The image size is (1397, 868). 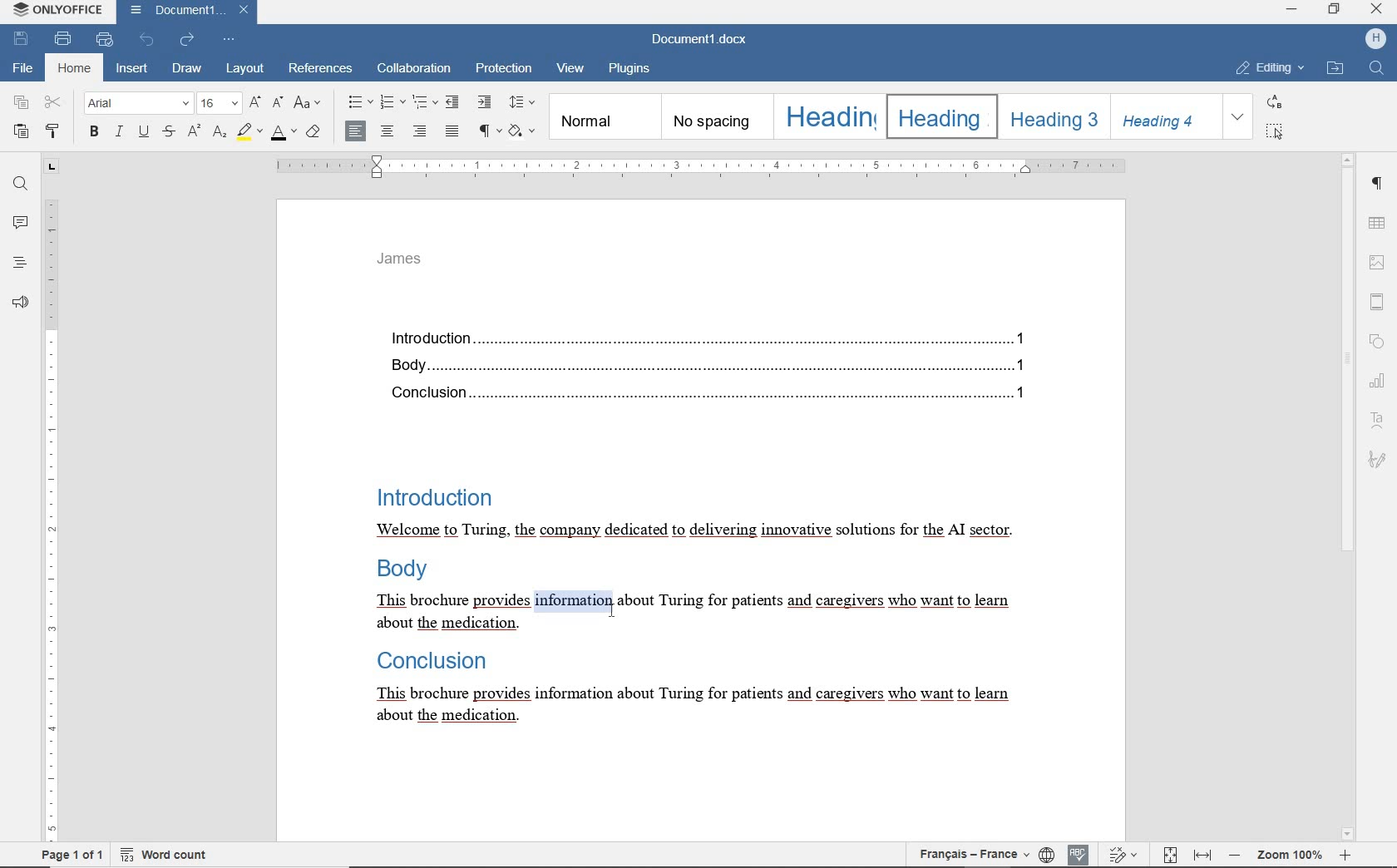 What do you see at coordinates (63, 38) in the screenshot?
I see `PRINT` at bounding box center [63, 38].